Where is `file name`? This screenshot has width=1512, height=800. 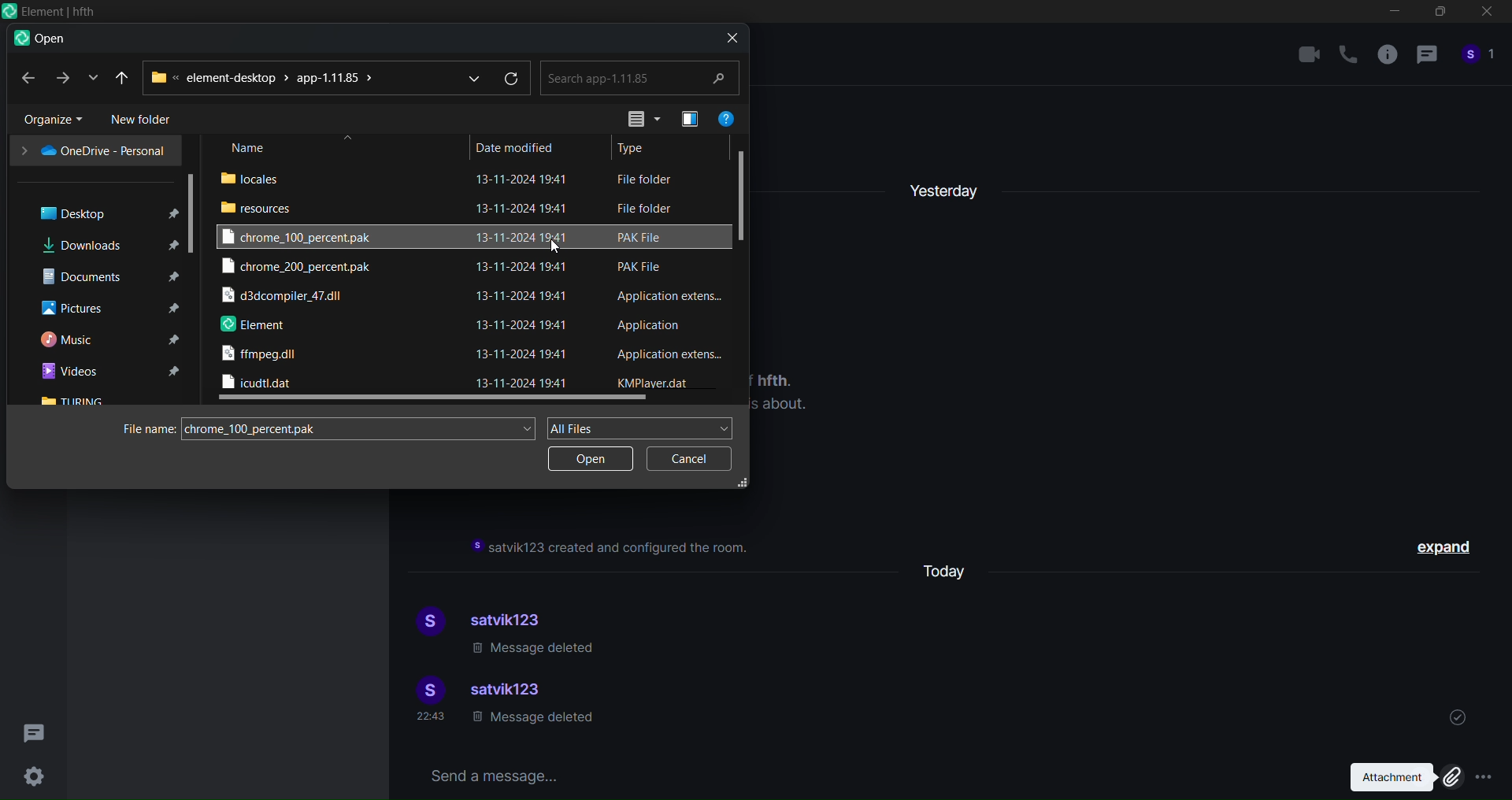 file name is located at coordinates (144, 429).